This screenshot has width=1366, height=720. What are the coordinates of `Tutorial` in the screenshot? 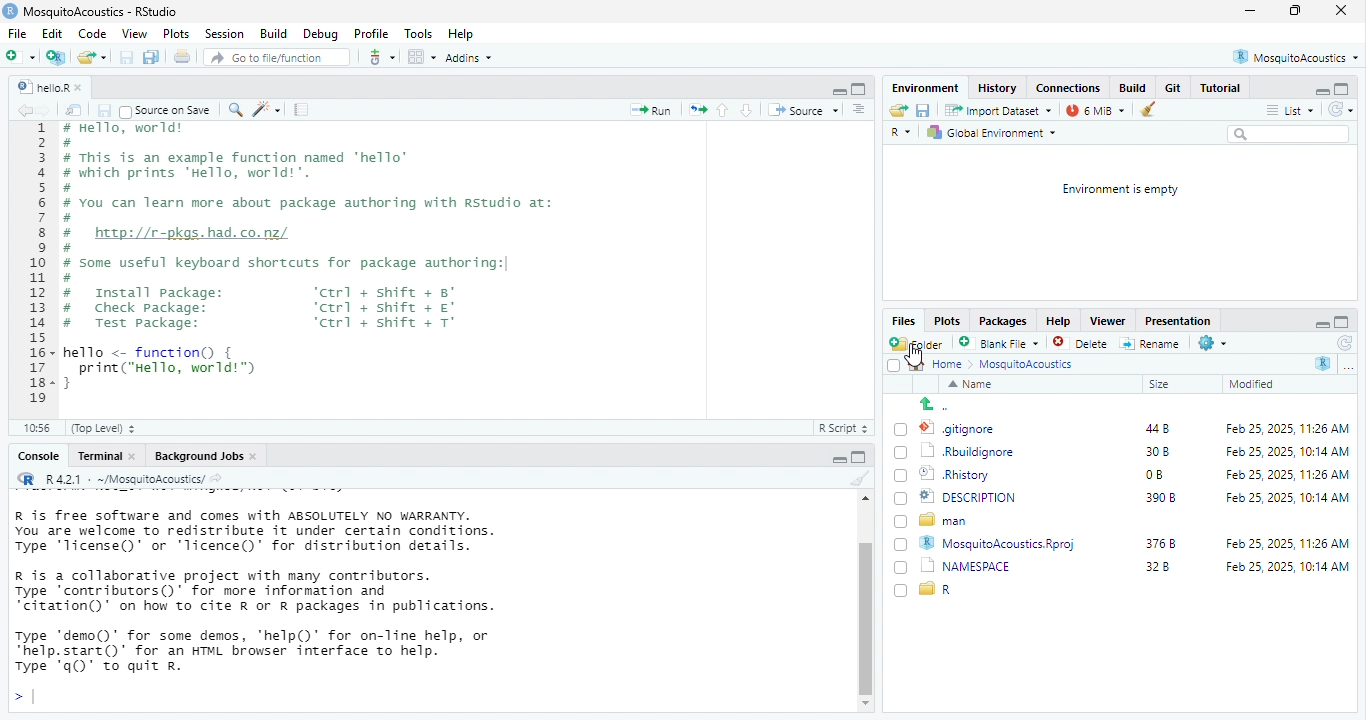 It's located at (1225, 88).